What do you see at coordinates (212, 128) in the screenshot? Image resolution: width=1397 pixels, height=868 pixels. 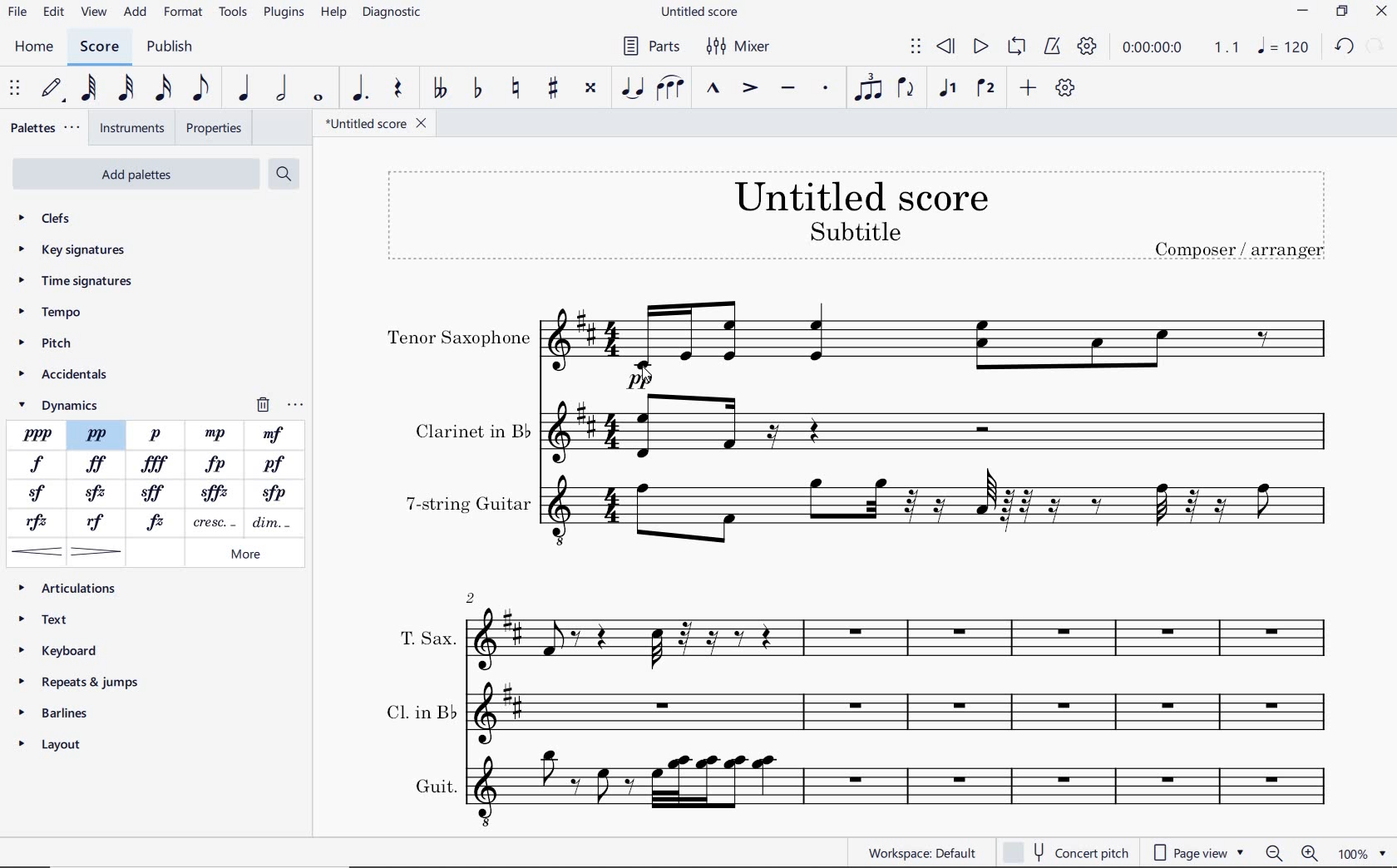 I see `properties` at bounding box center [212, 128].